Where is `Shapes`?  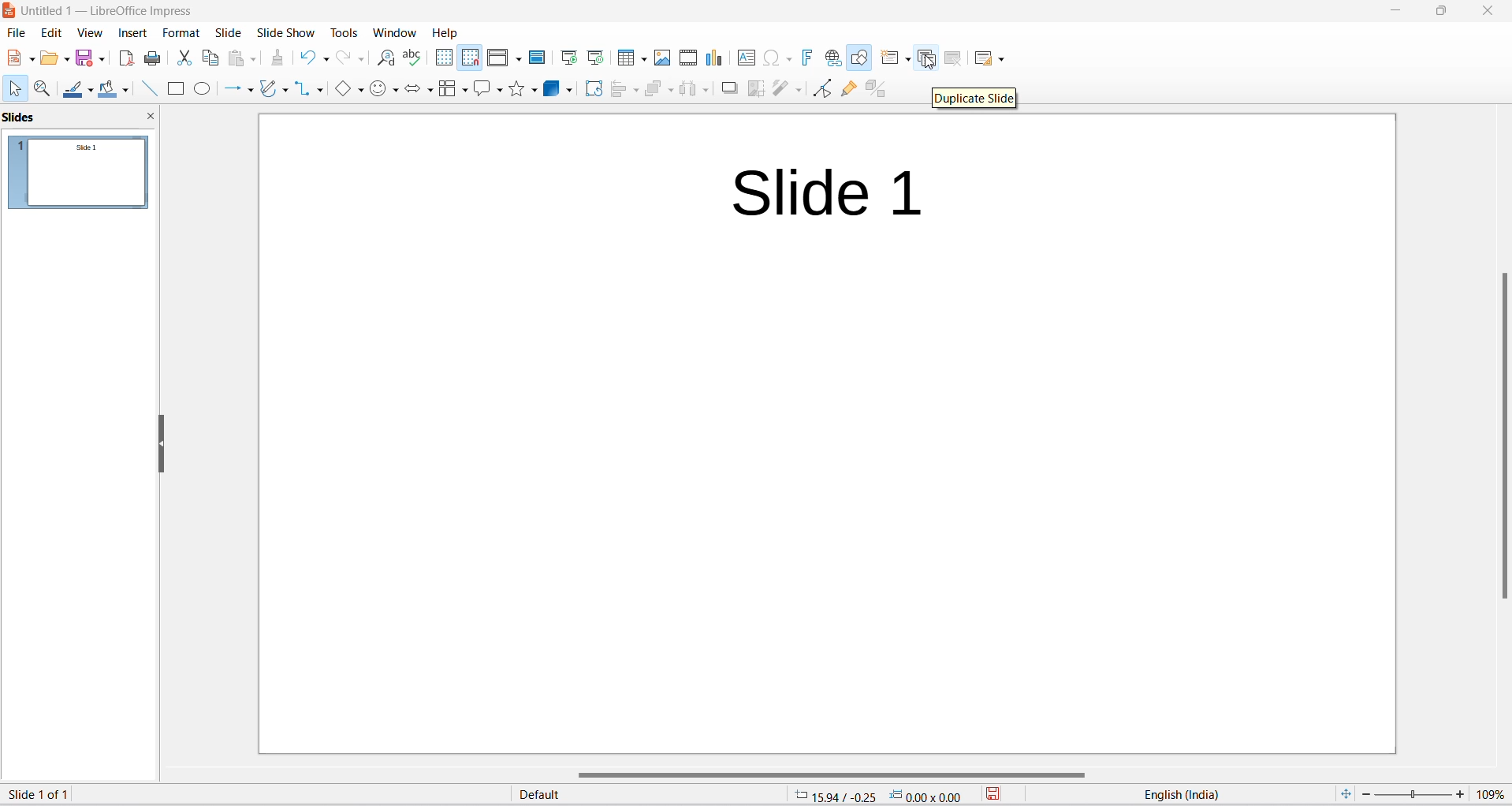
Shapes is located at coordinates (523, 90).